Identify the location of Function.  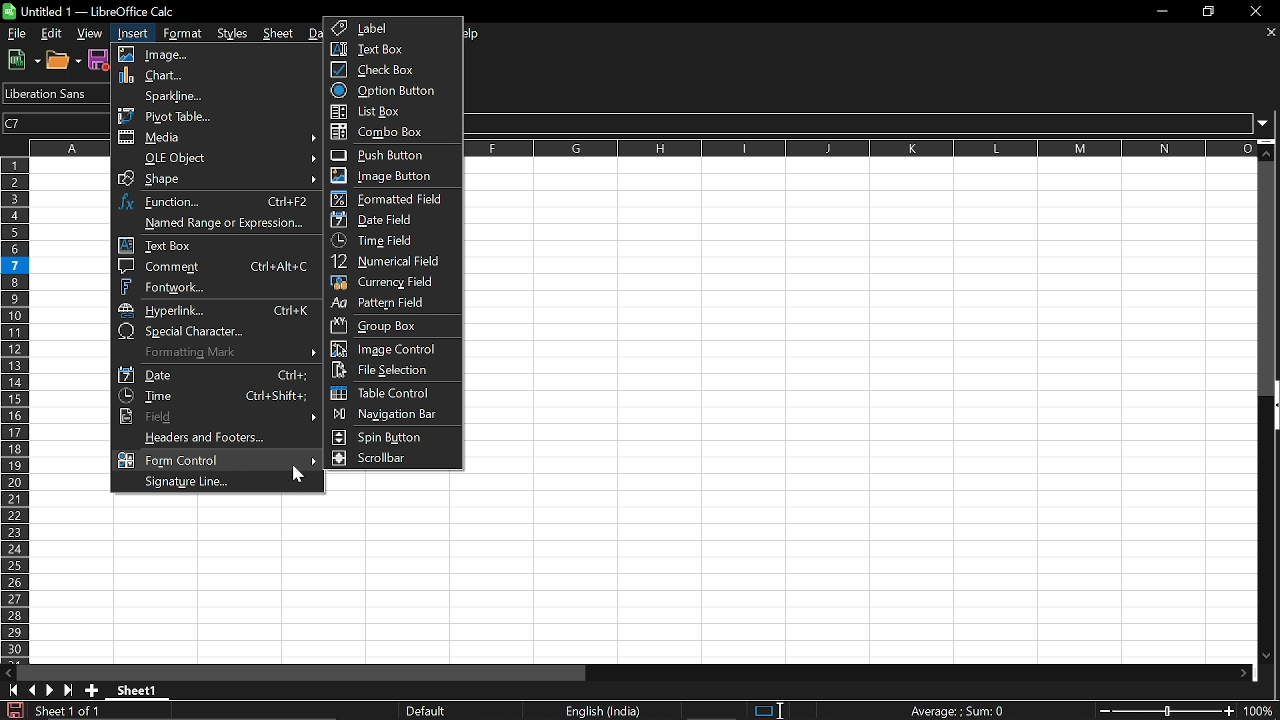
(218, 202).